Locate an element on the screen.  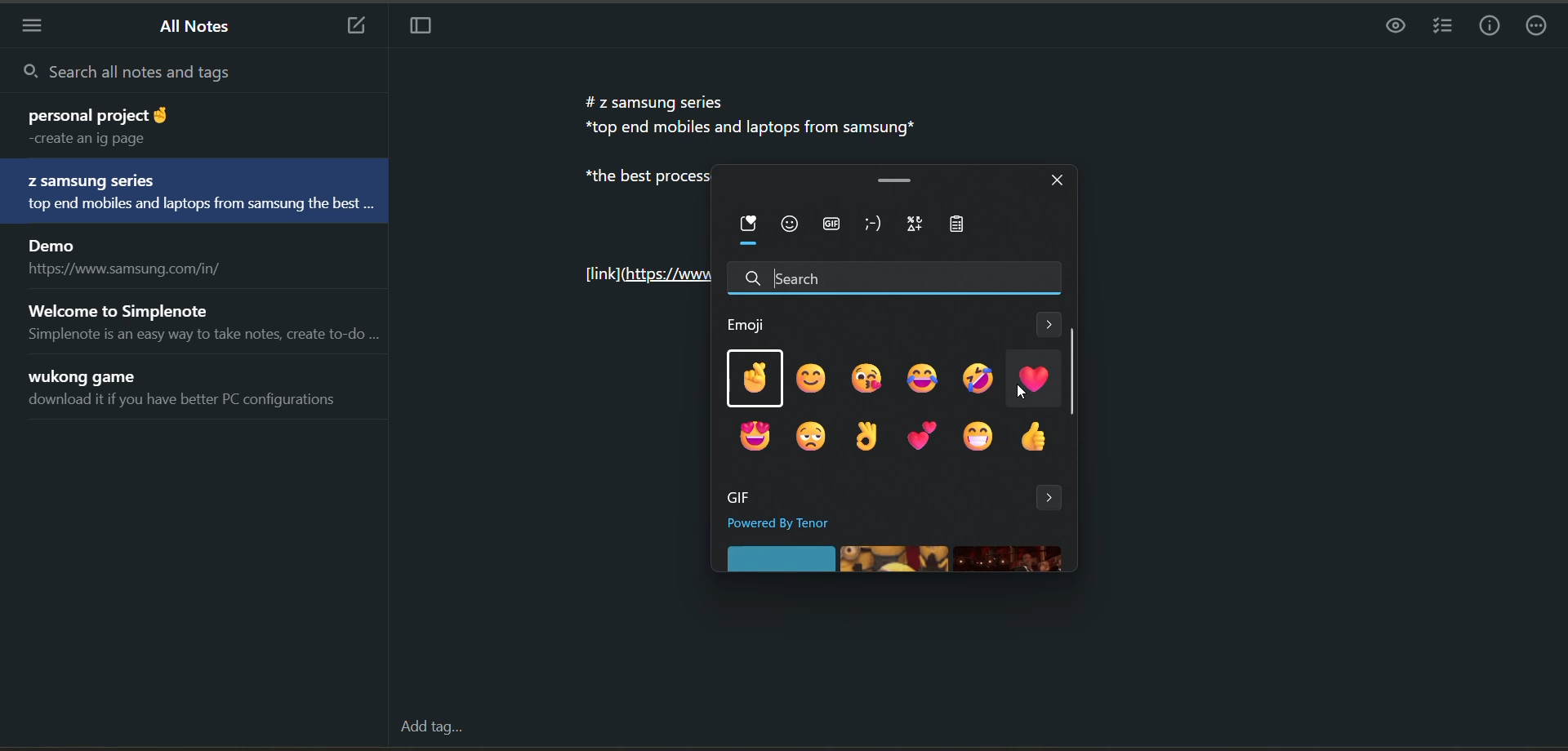
add tag is located at coordinates (431, 727).